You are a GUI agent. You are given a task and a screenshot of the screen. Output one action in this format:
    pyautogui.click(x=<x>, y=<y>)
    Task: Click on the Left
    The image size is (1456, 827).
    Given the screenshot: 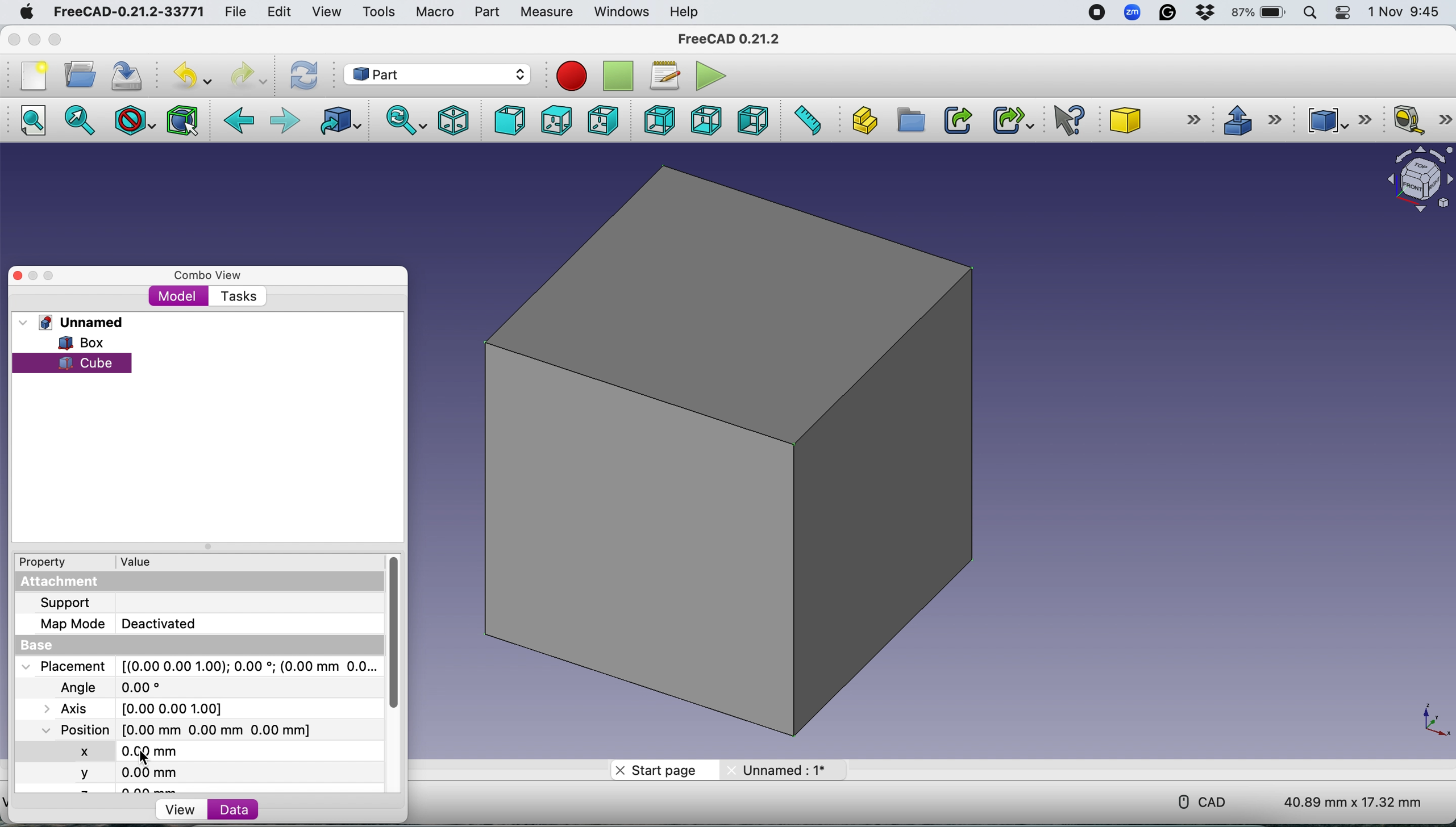 What is the action you would take?
    pyautogui.click(x=752, y=120)
    